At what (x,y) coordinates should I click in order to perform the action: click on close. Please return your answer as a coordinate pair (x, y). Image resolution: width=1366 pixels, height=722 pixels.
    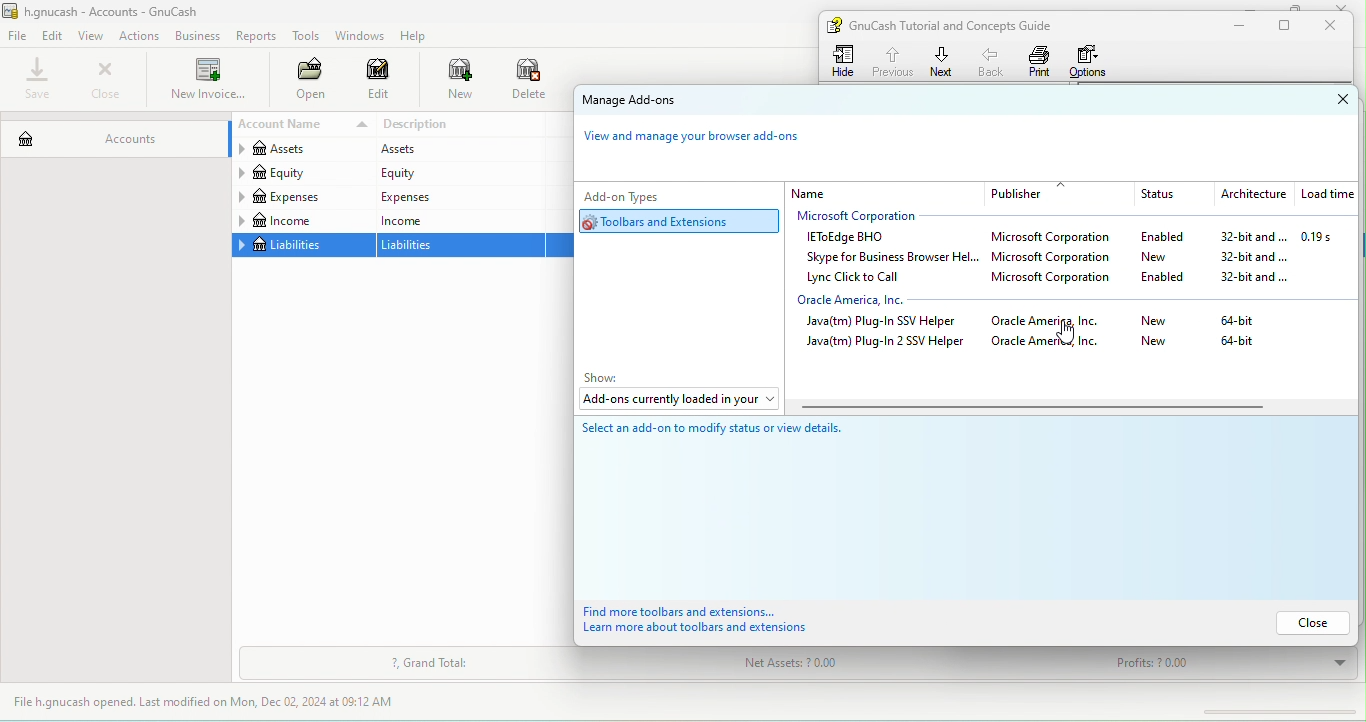
    Looking at the image, I should click on (1336, 26).